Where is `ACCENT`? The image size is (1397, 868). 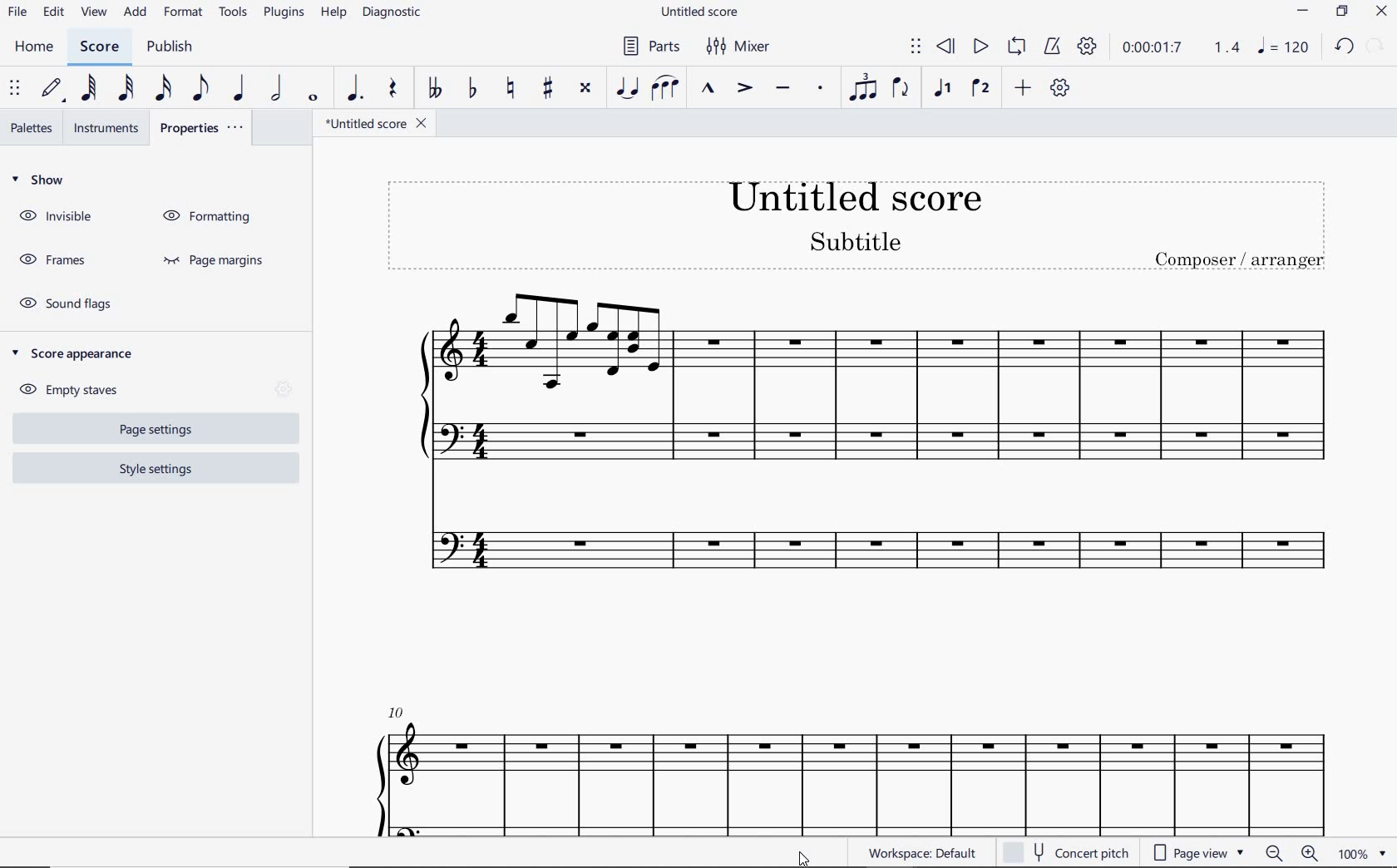
ACCENT is located at coordinates (744, 89).